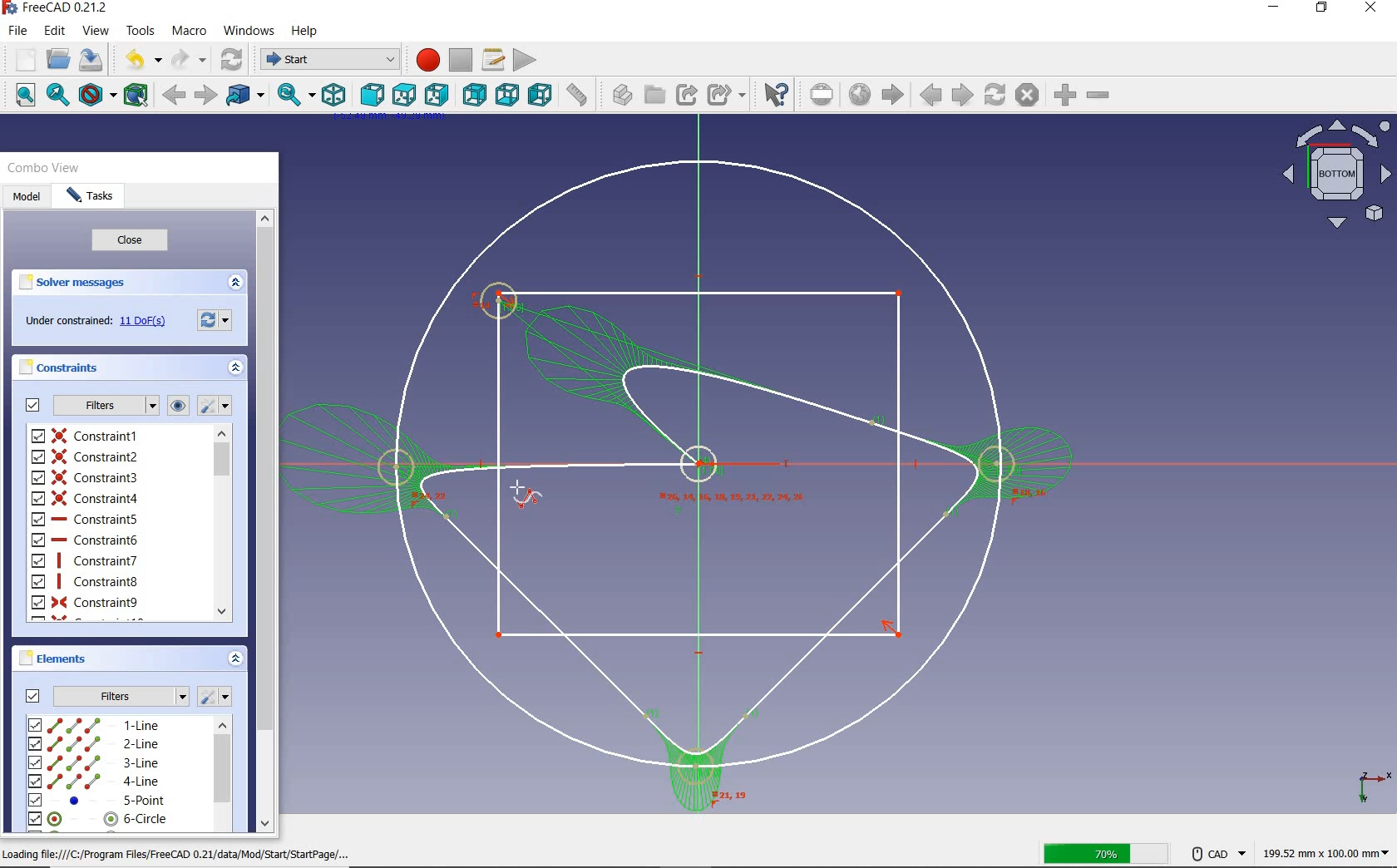 This screenshot has height=868, width=1397. I want to click on sync view, so click(293, 96).